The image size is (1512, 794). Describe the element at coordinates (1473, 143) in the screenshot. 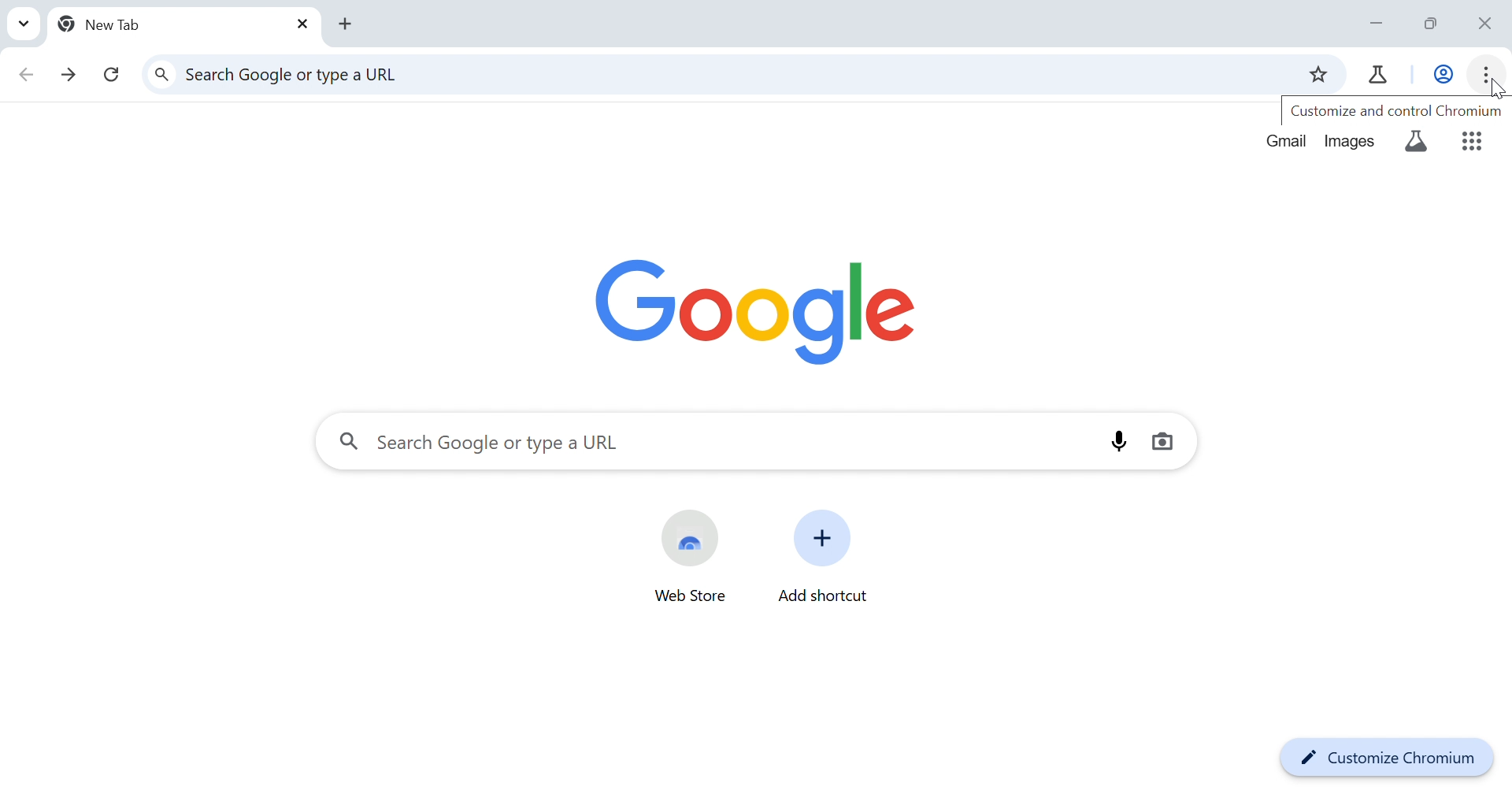

I see `Google apps` at that location.